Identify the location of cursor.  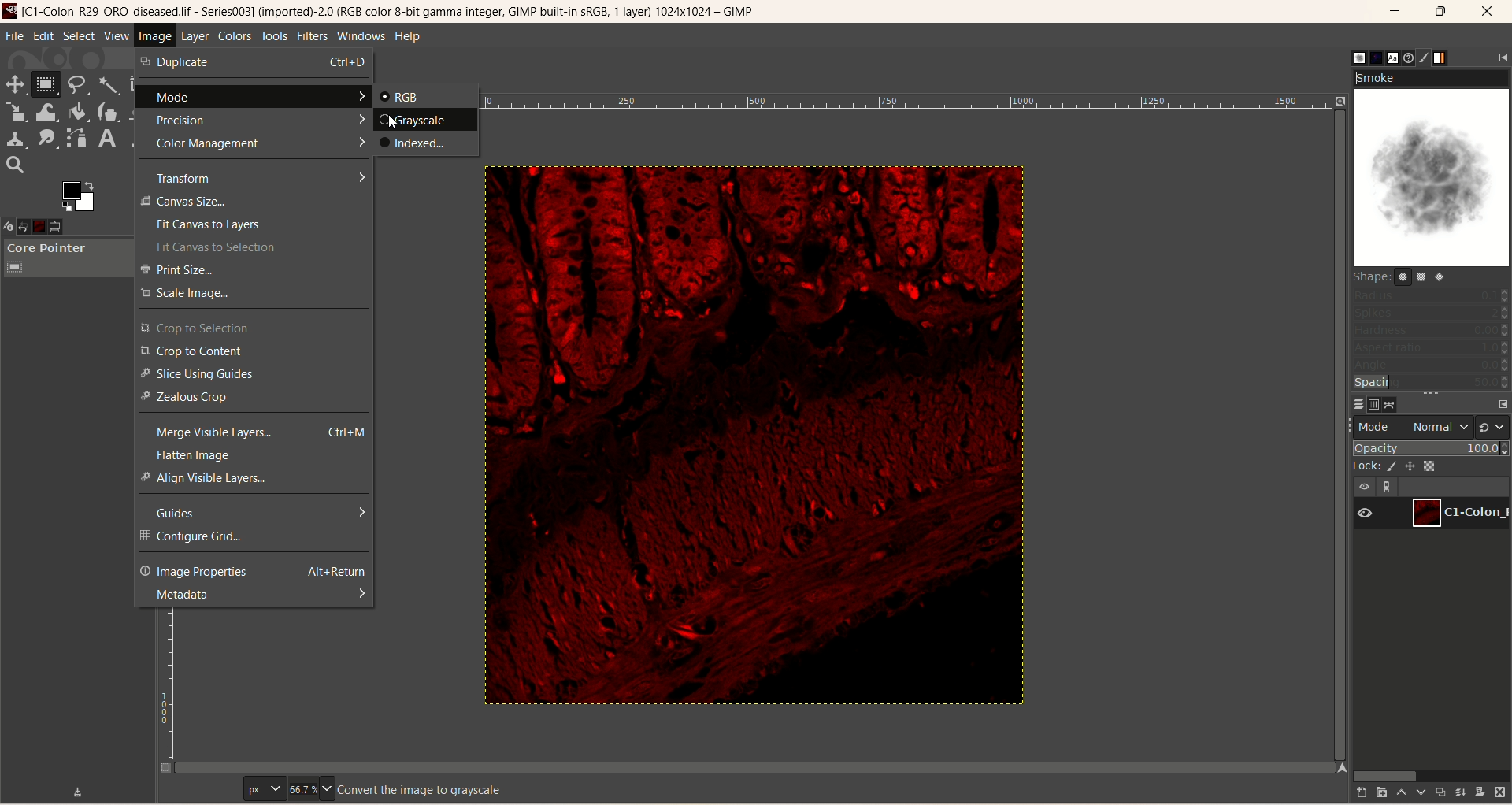
(394, 121).